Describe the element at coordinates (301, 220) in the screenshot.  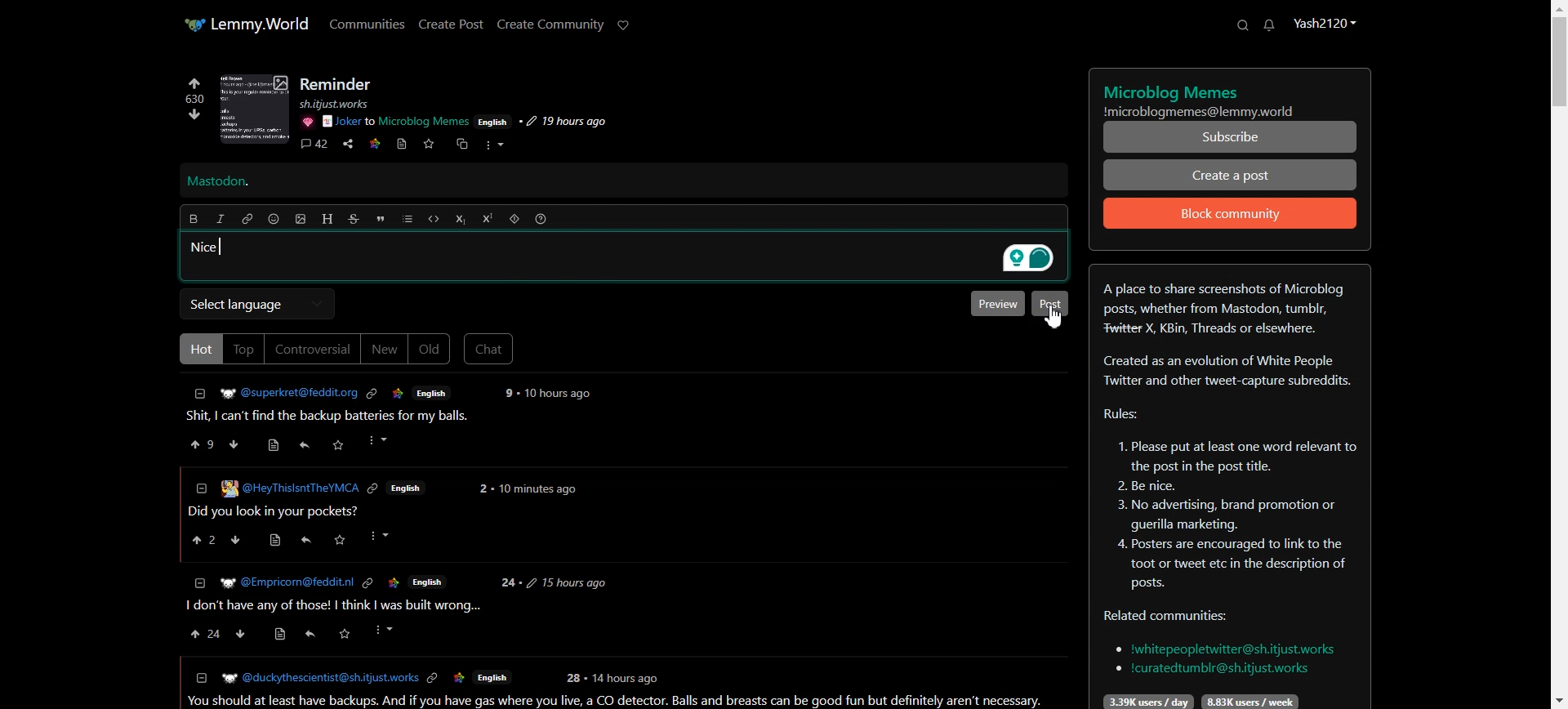
I see `Insert picture` at that location.